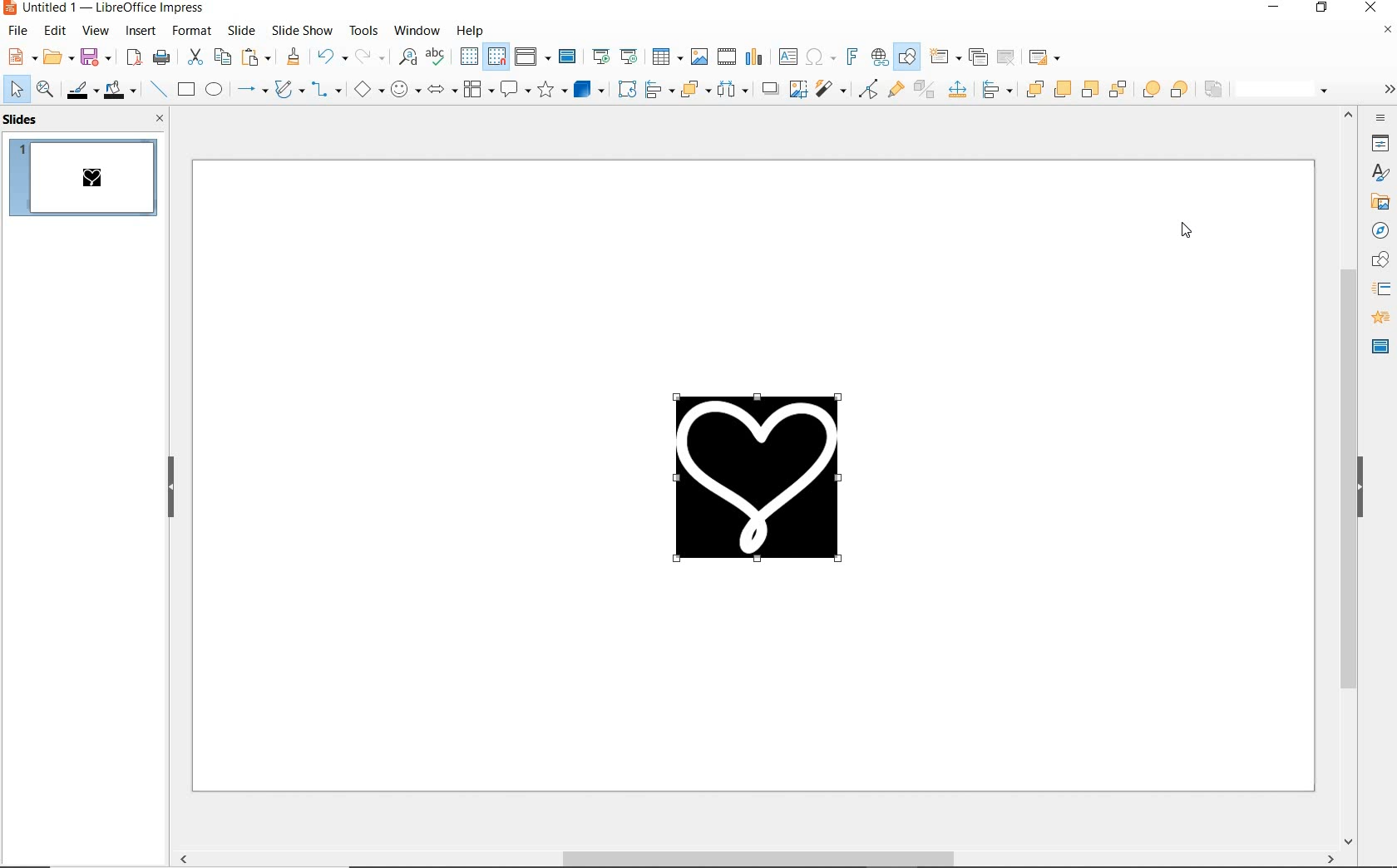 This screenshot has width=1397, height=868. What do you see at coordinates (478, 90) in the screenshot?
I see `flowchart` at bounding box center [478, 90].